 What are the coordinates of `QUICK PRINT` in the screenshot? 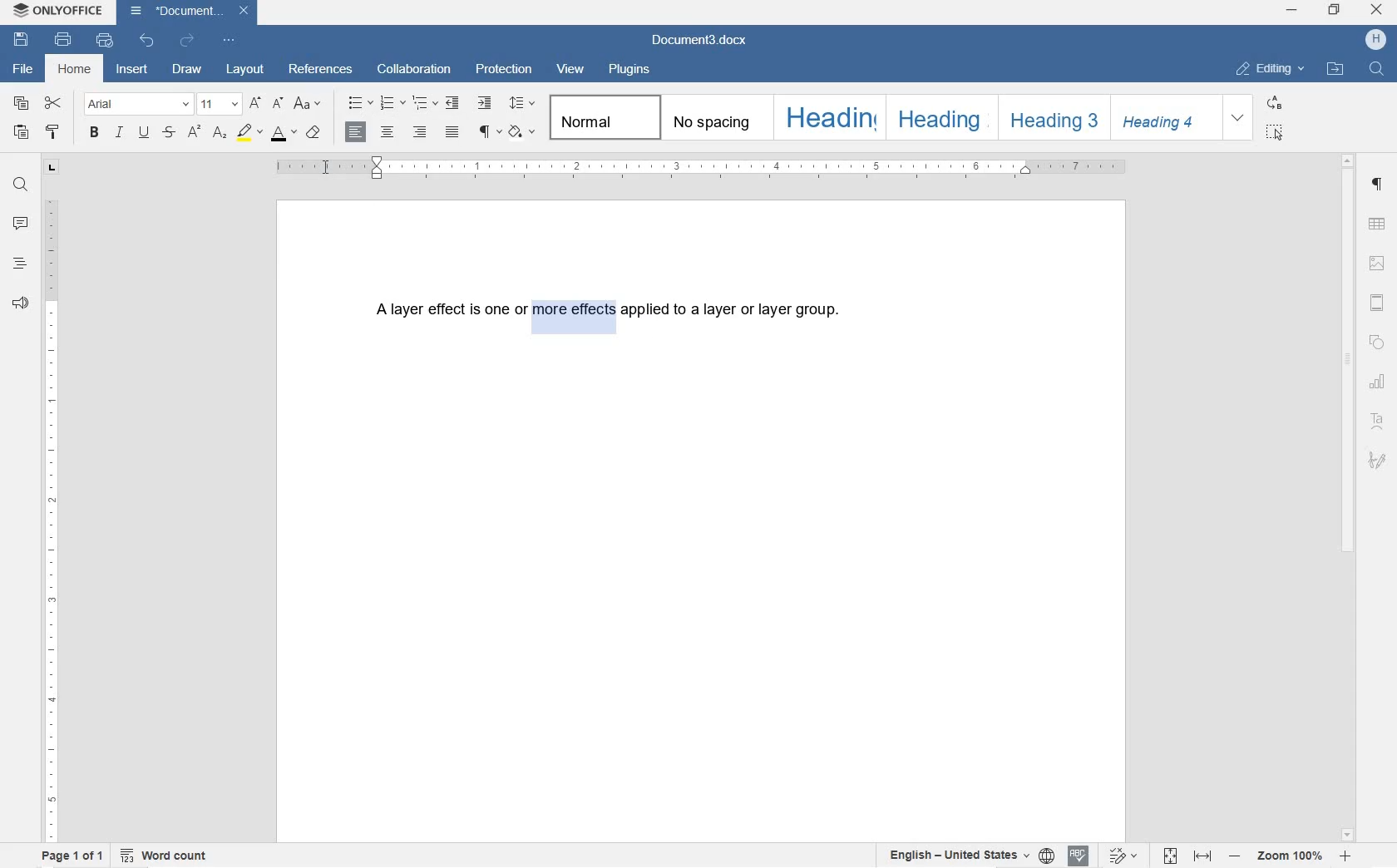 It's located at (104, 42).